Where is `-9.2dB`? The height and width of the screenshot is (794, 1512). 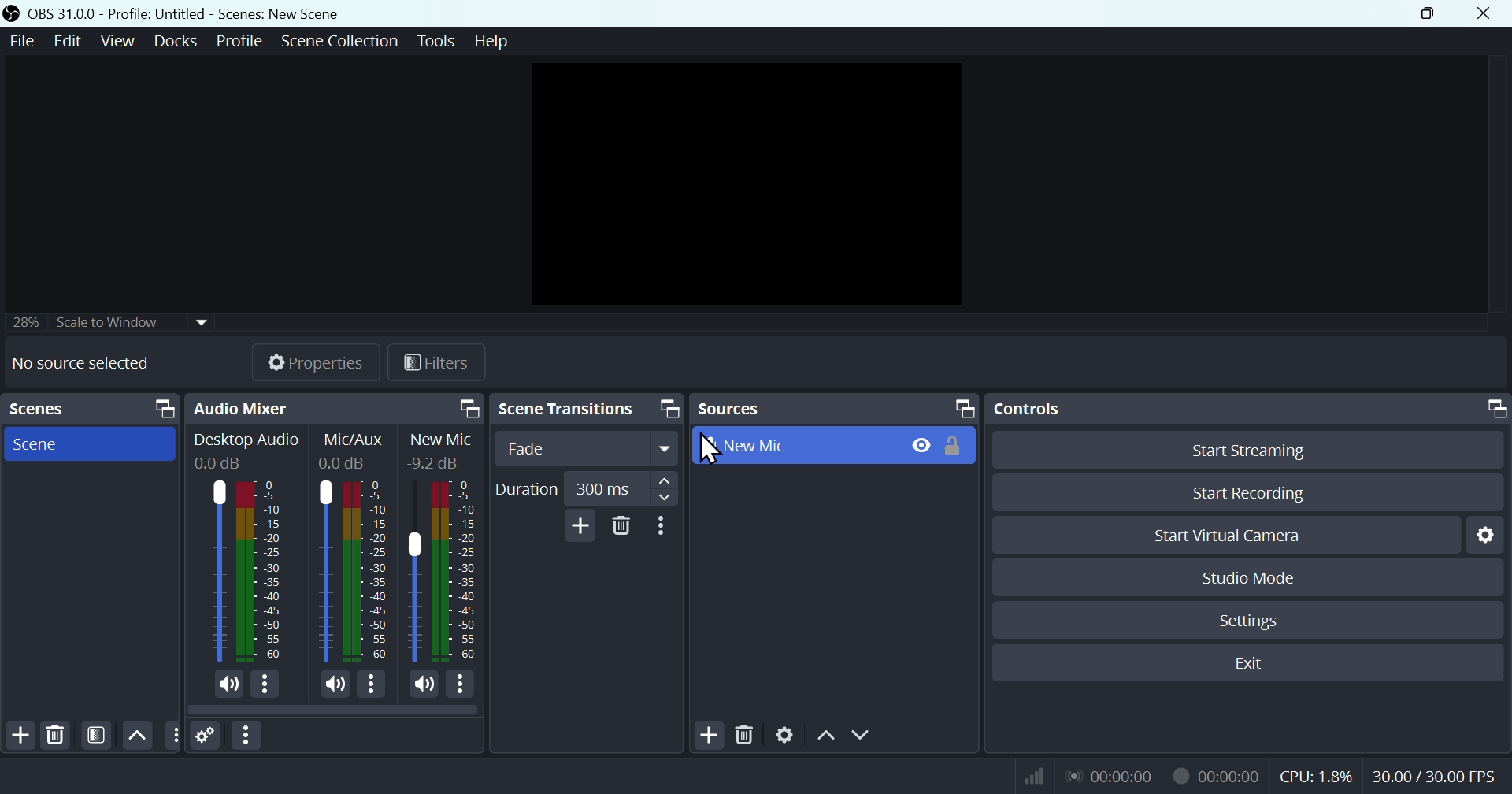
-9.2dB is located at coordinates (435, 464).